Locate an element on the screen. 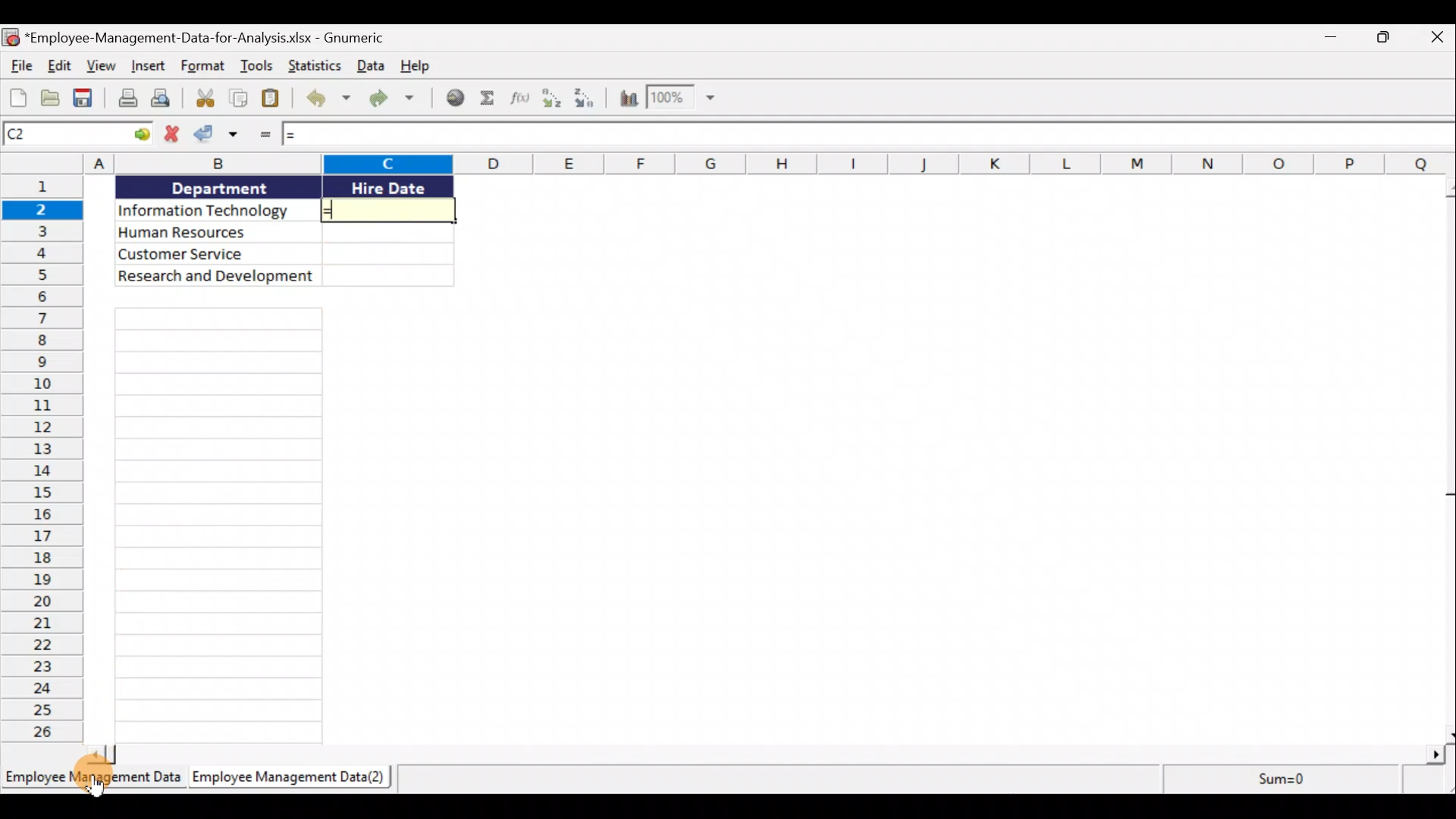 Image resolution: width=1456 pixels, height=819 pixels. cursor is located at coordinates (95, 786).